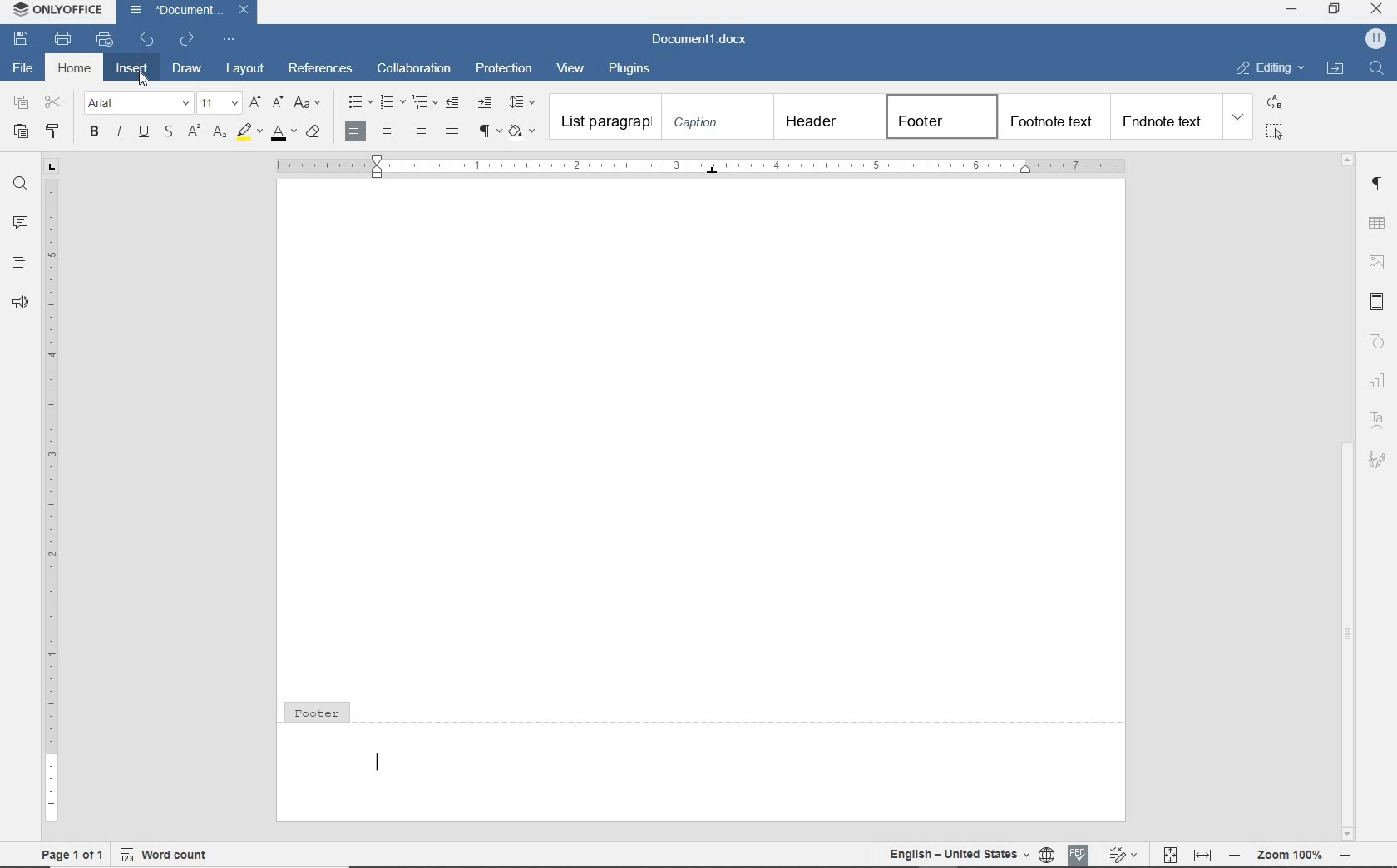 This screenshot has height=868, width=1397. I want to click on header, so click(833, 117).